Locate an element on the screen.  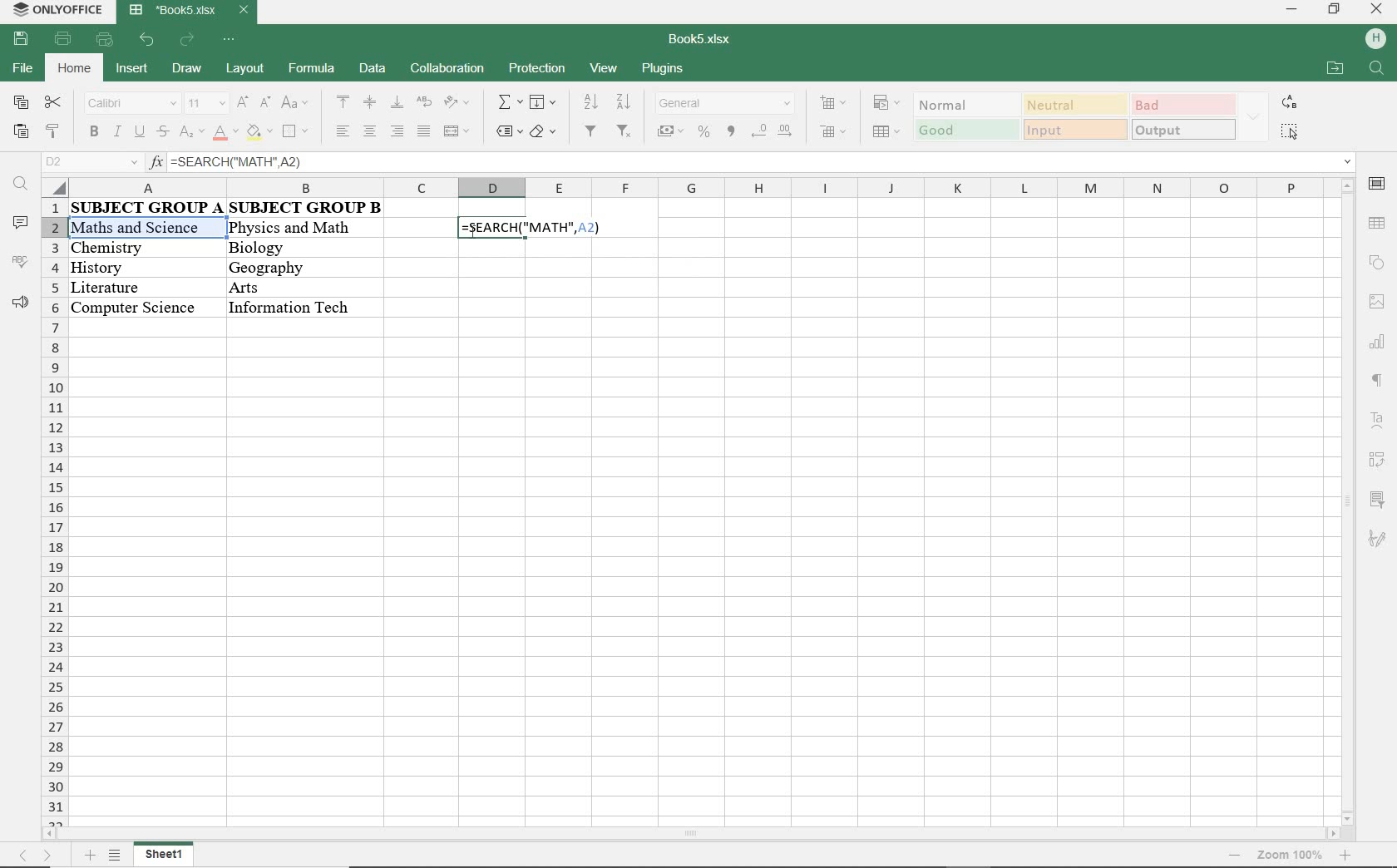
normal is located at coordinates (963, 105).